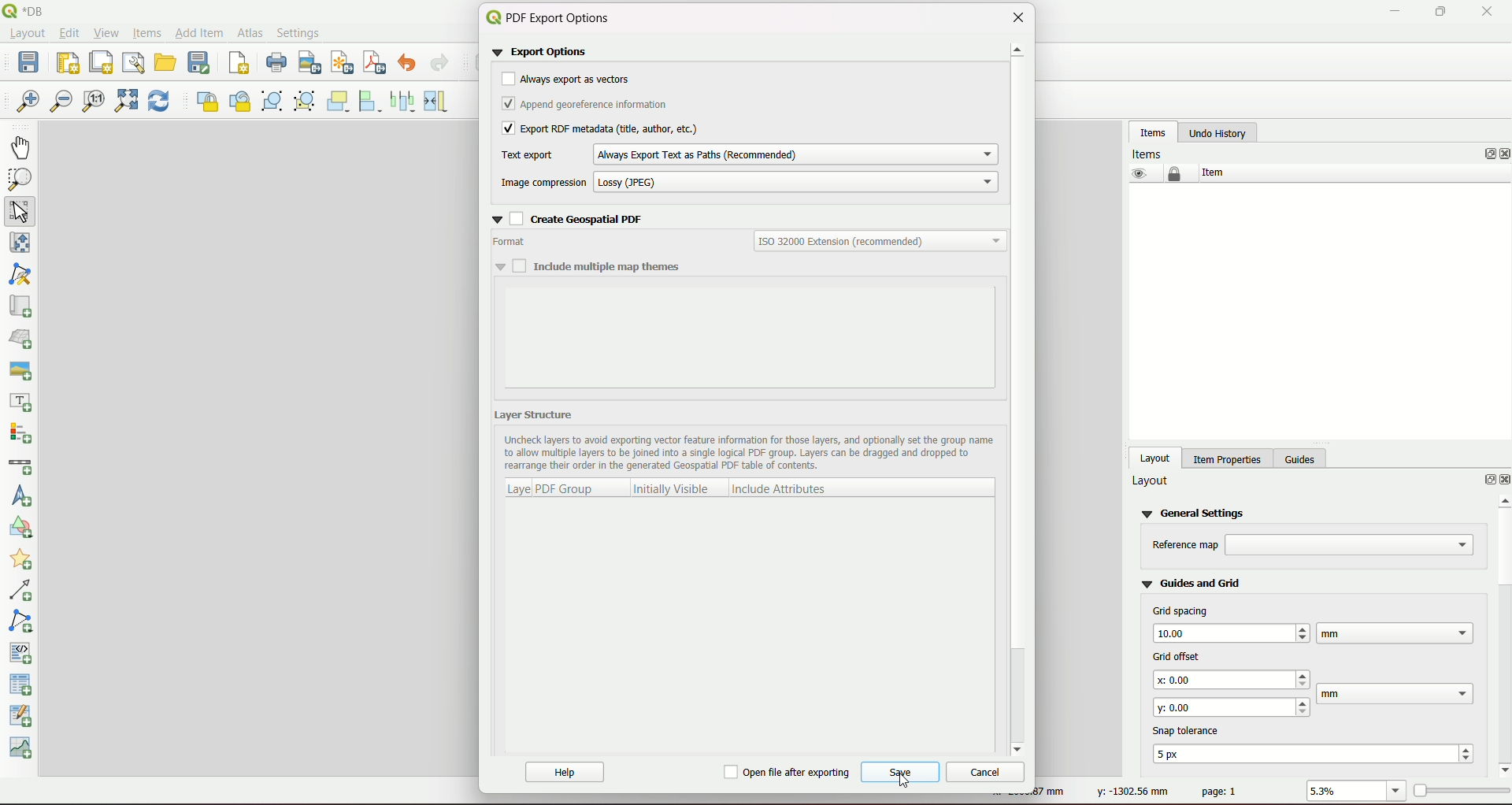  Describe the element at coordinates (27, 35) in the screenshot. I see `Layout` at that location.